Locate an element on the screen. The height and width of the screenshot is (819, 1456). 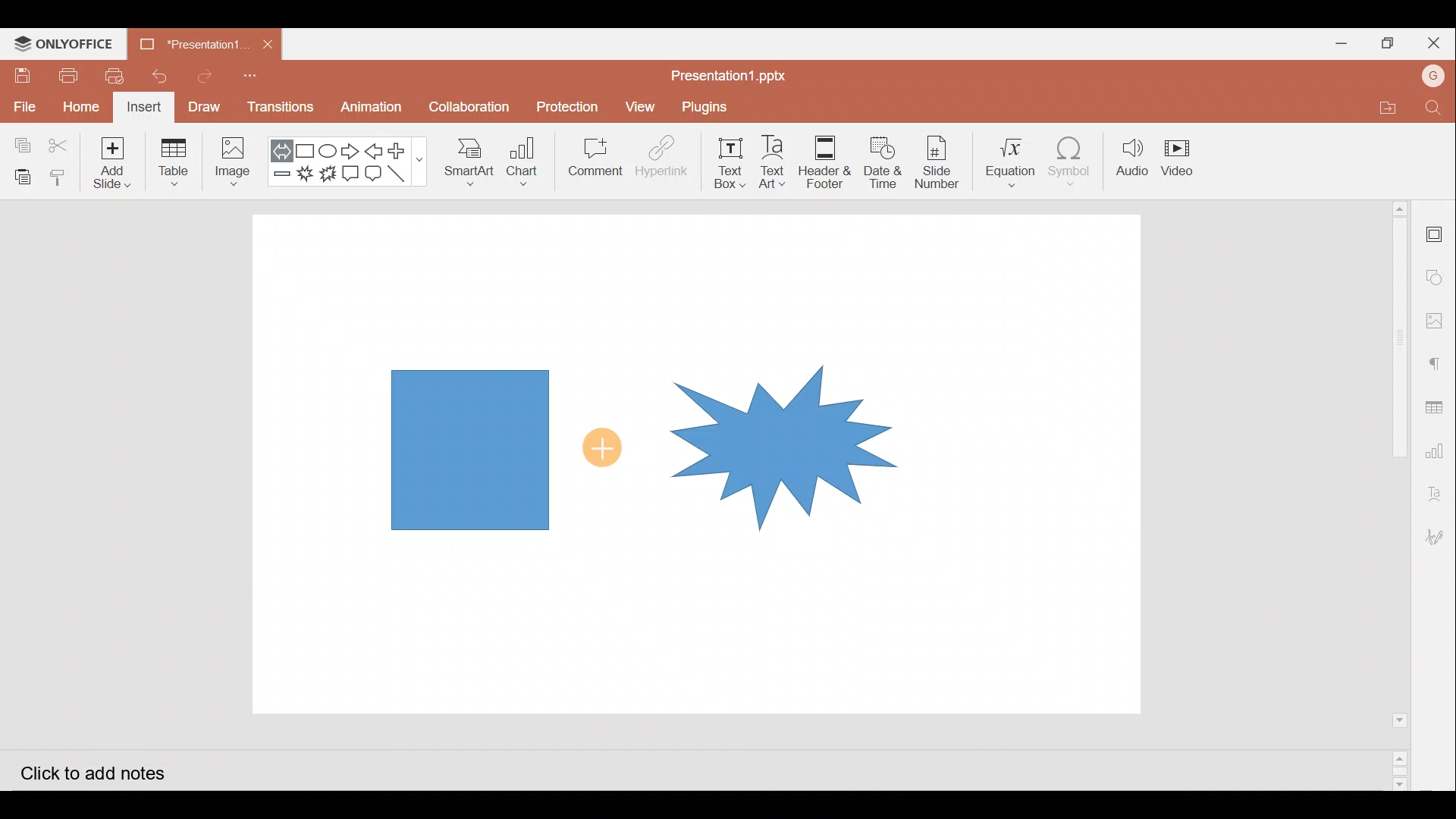
Copy style is located at coordinates (63, 177).